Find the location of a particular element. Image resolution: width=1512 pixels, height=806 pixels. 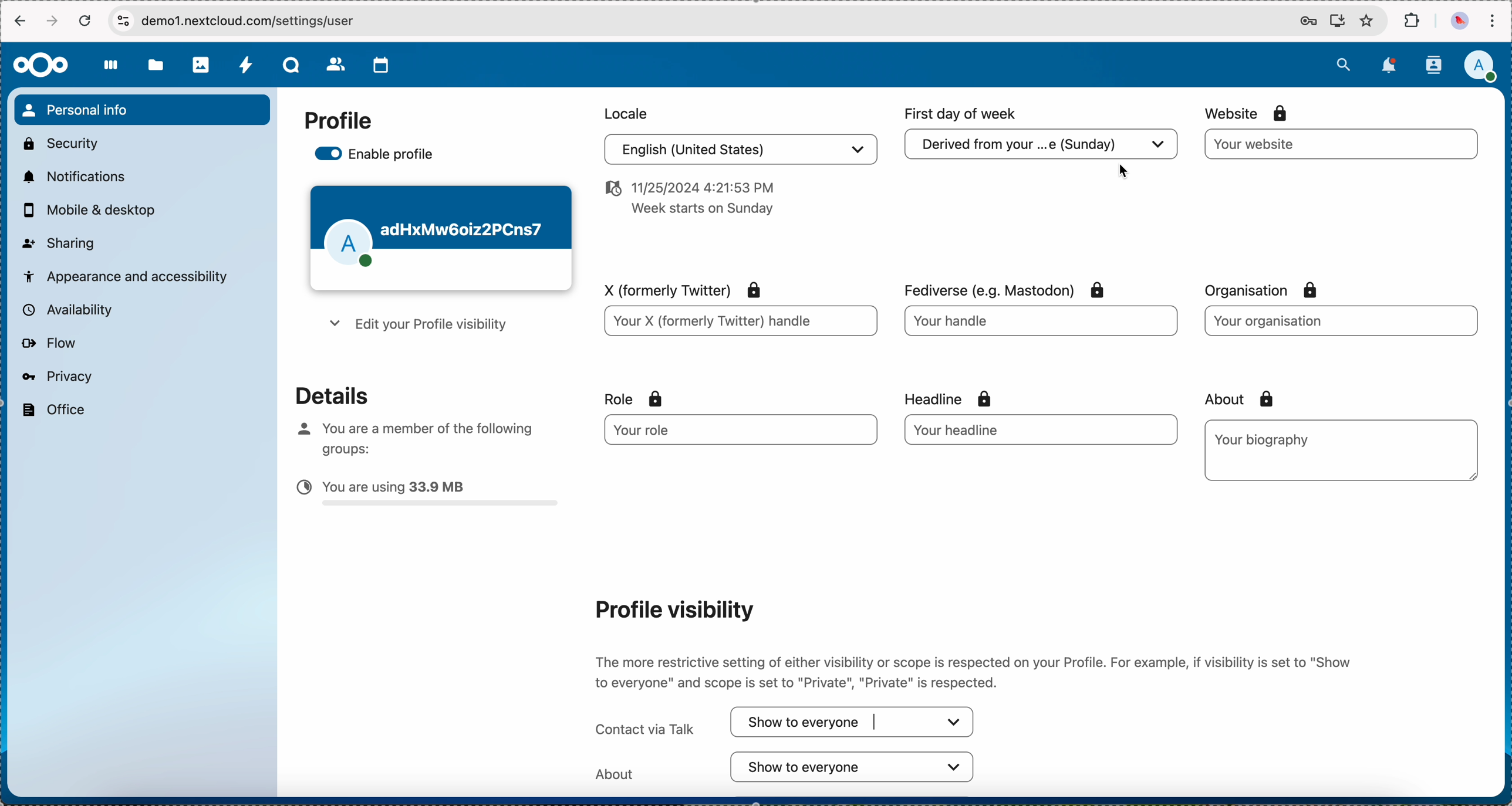

install Nextcloud is located at coordinates (1338, 22).